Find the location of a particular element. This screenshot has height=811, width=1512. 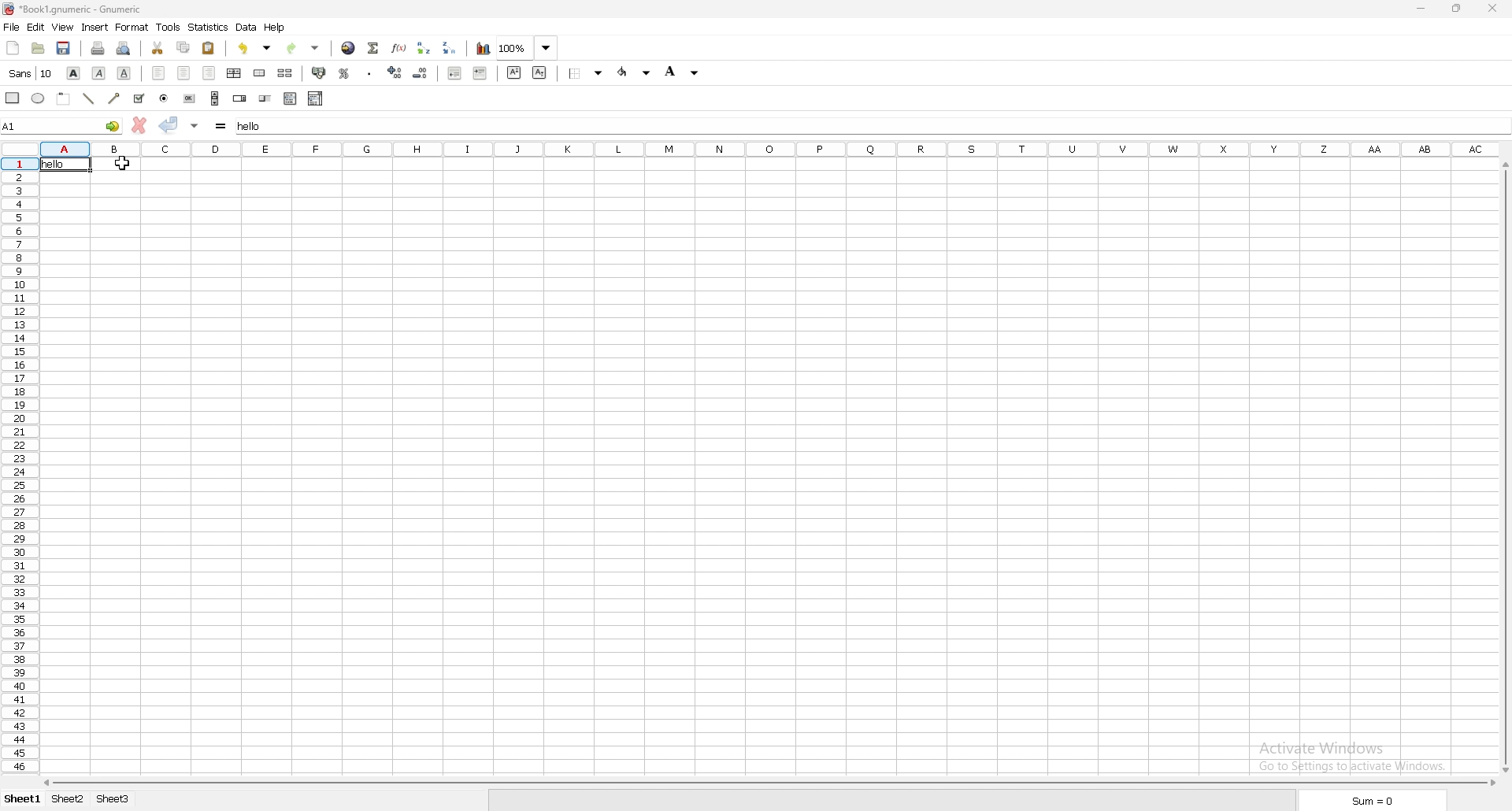

checkbox is located at coordinates (138, 98).